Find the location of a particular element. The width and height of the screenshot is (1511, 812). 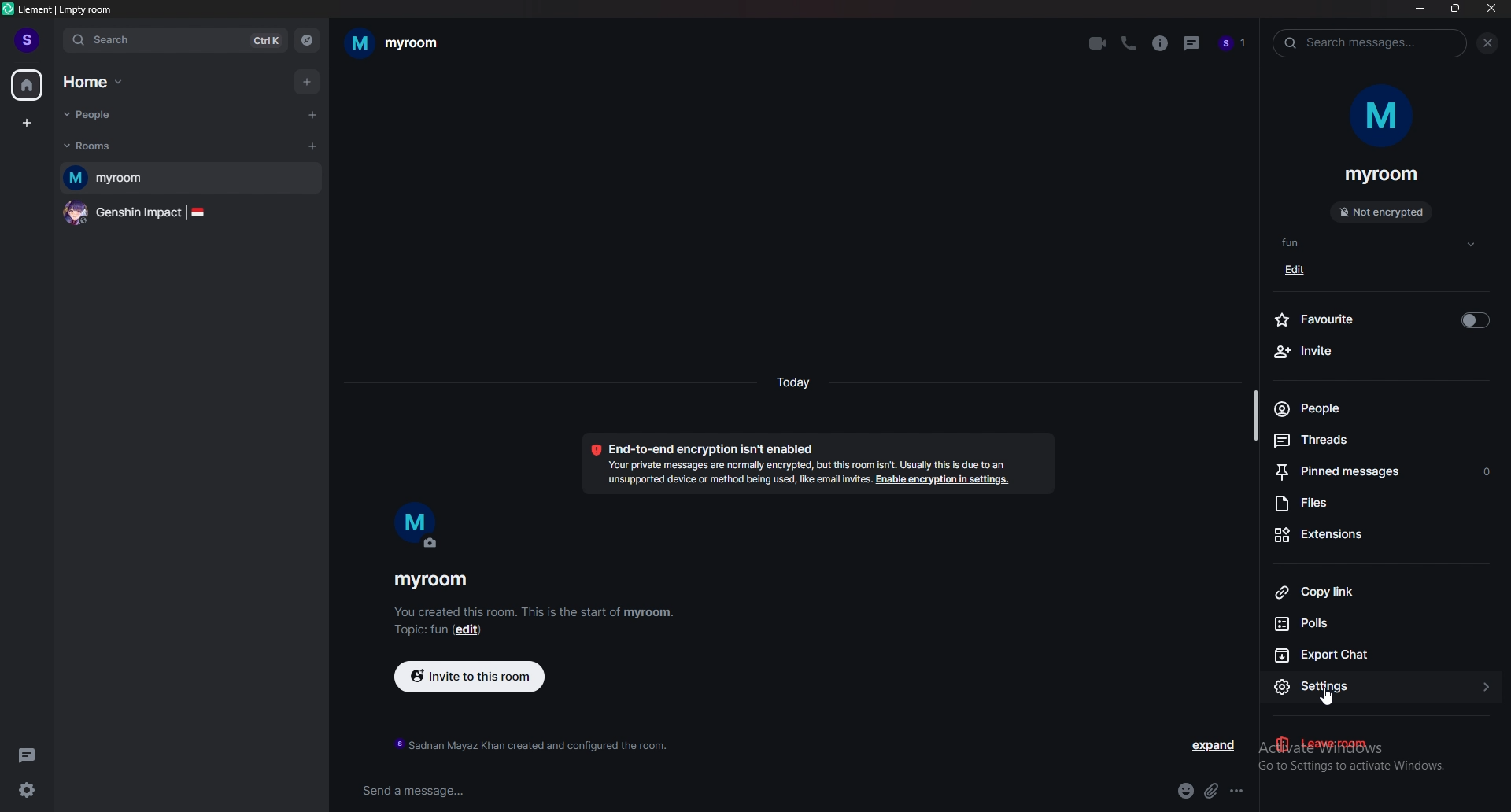

export chat is located at coordinates (1379, 655).